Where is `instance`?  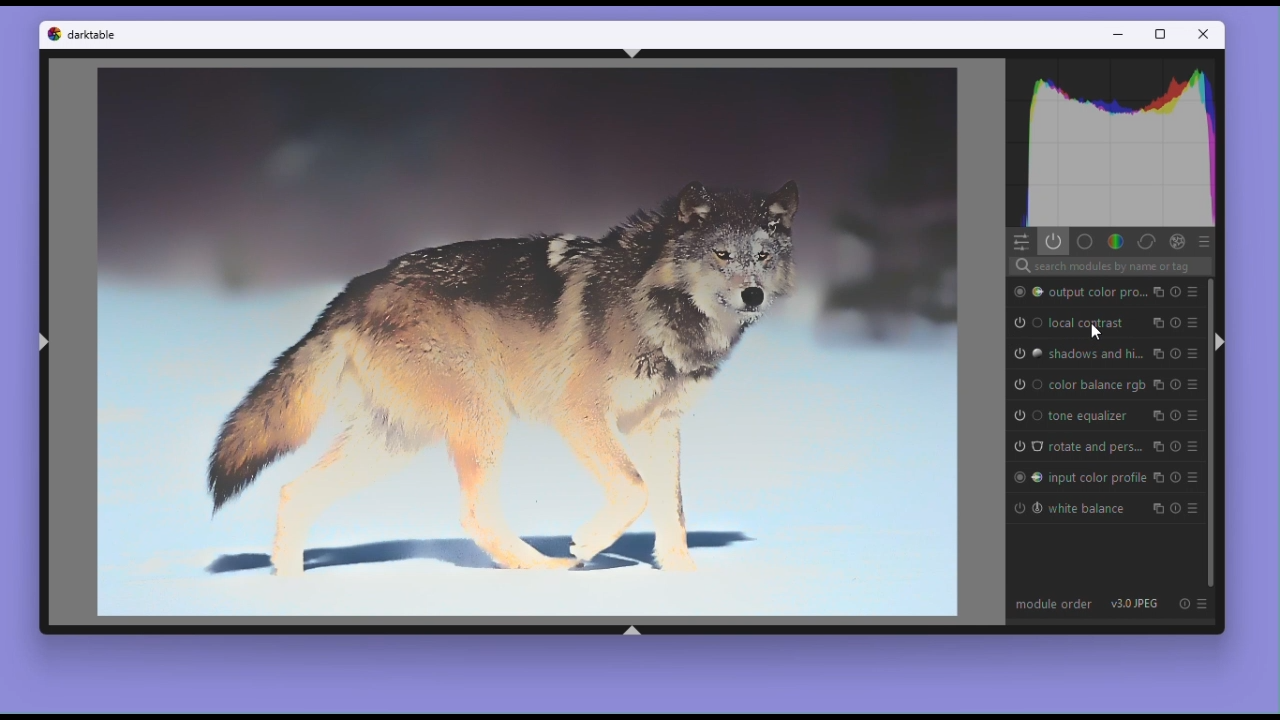
instance is located at coordinates (1157, 291).